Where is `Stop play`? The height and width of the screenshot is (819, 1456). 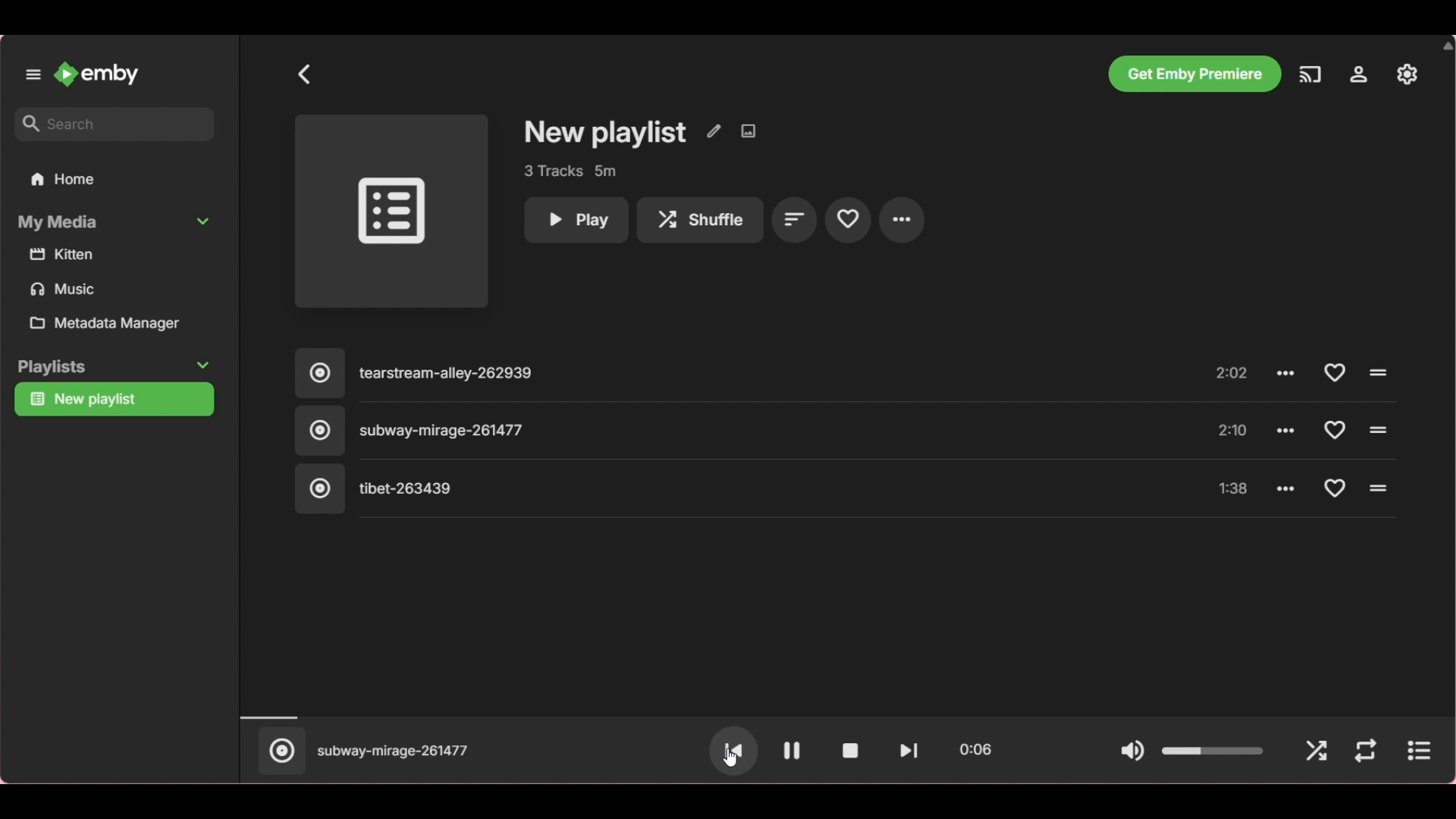 Stop play is located at coordinates (850, 751).